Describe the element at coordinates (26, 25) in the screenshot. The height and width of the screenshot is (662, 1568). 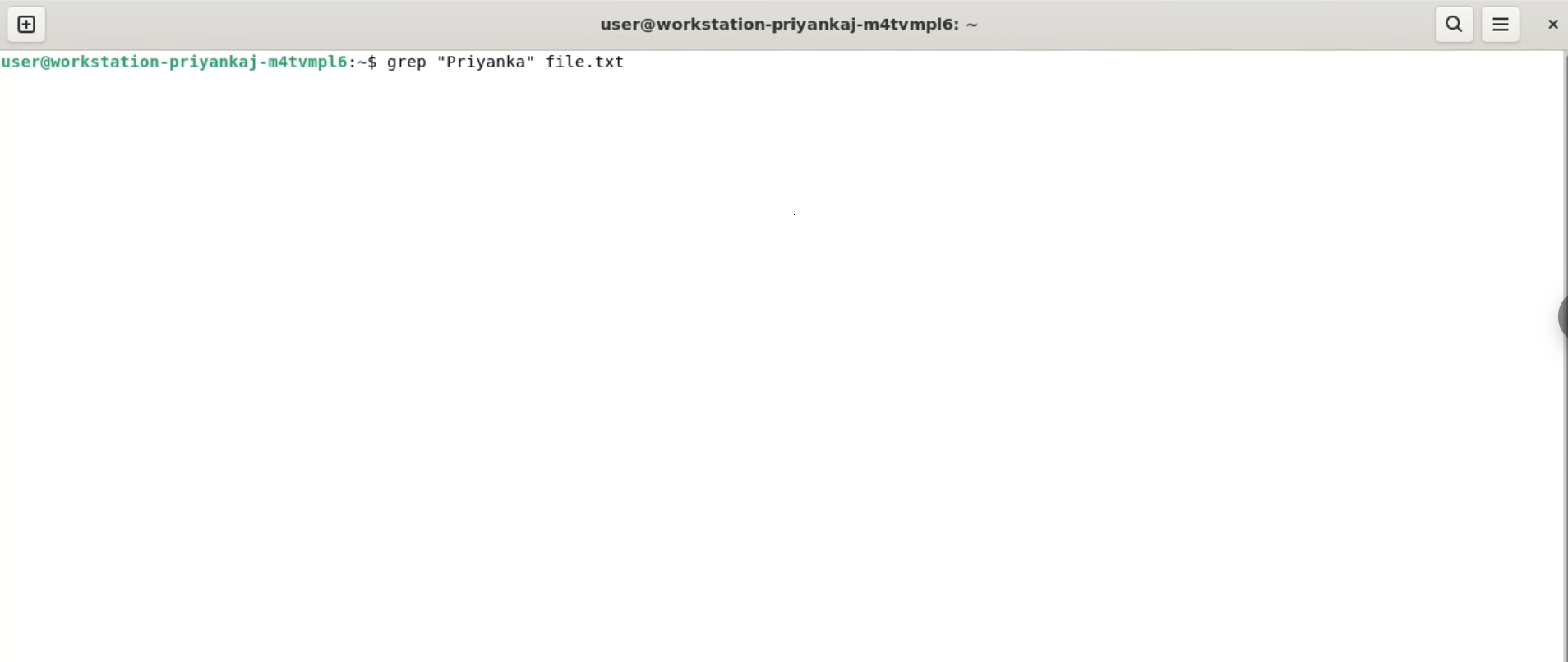
I see `new tab` at that location.